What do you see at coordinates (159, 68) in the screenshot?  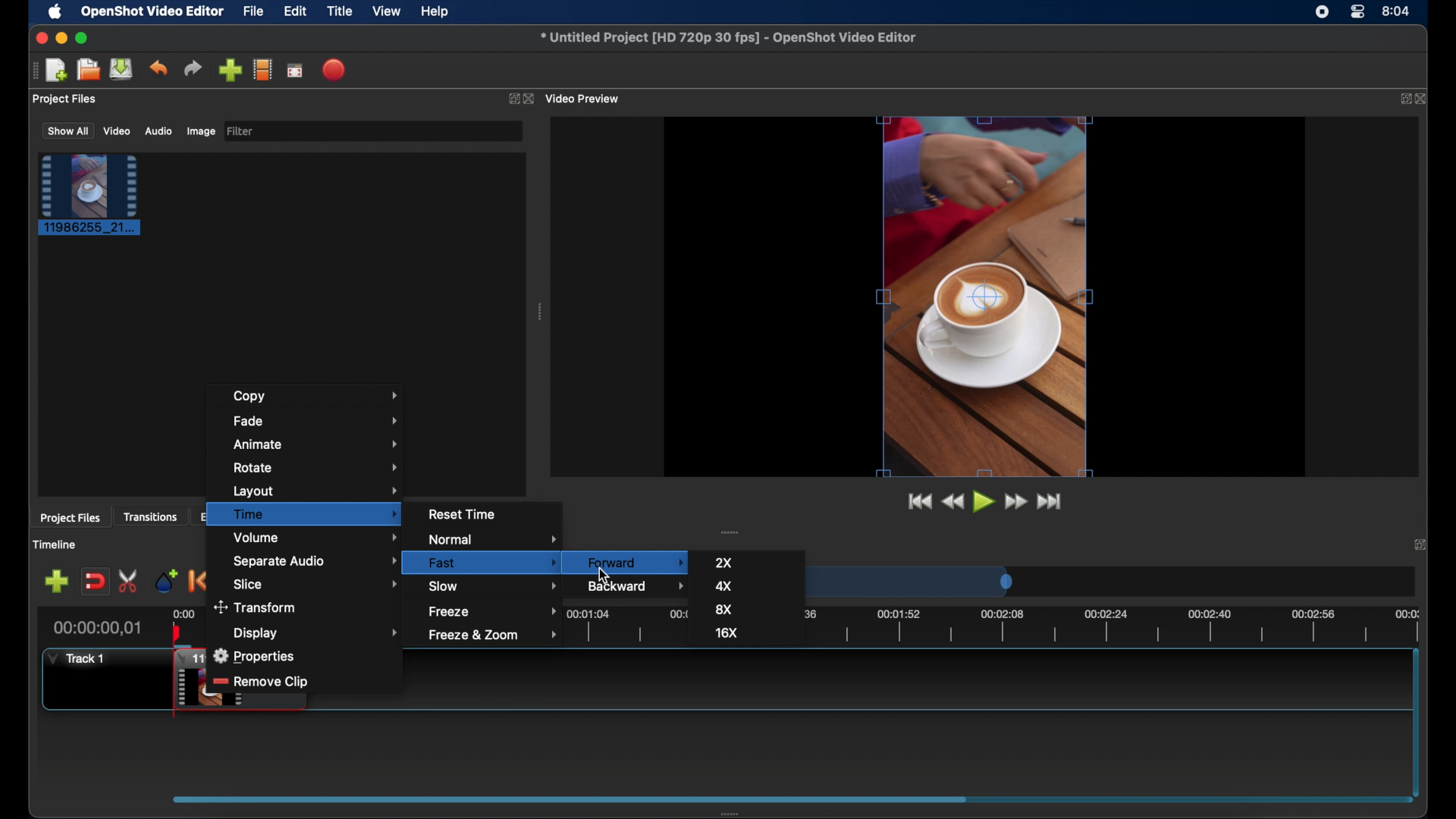 I see `undo` at bounding box center [159, 68].